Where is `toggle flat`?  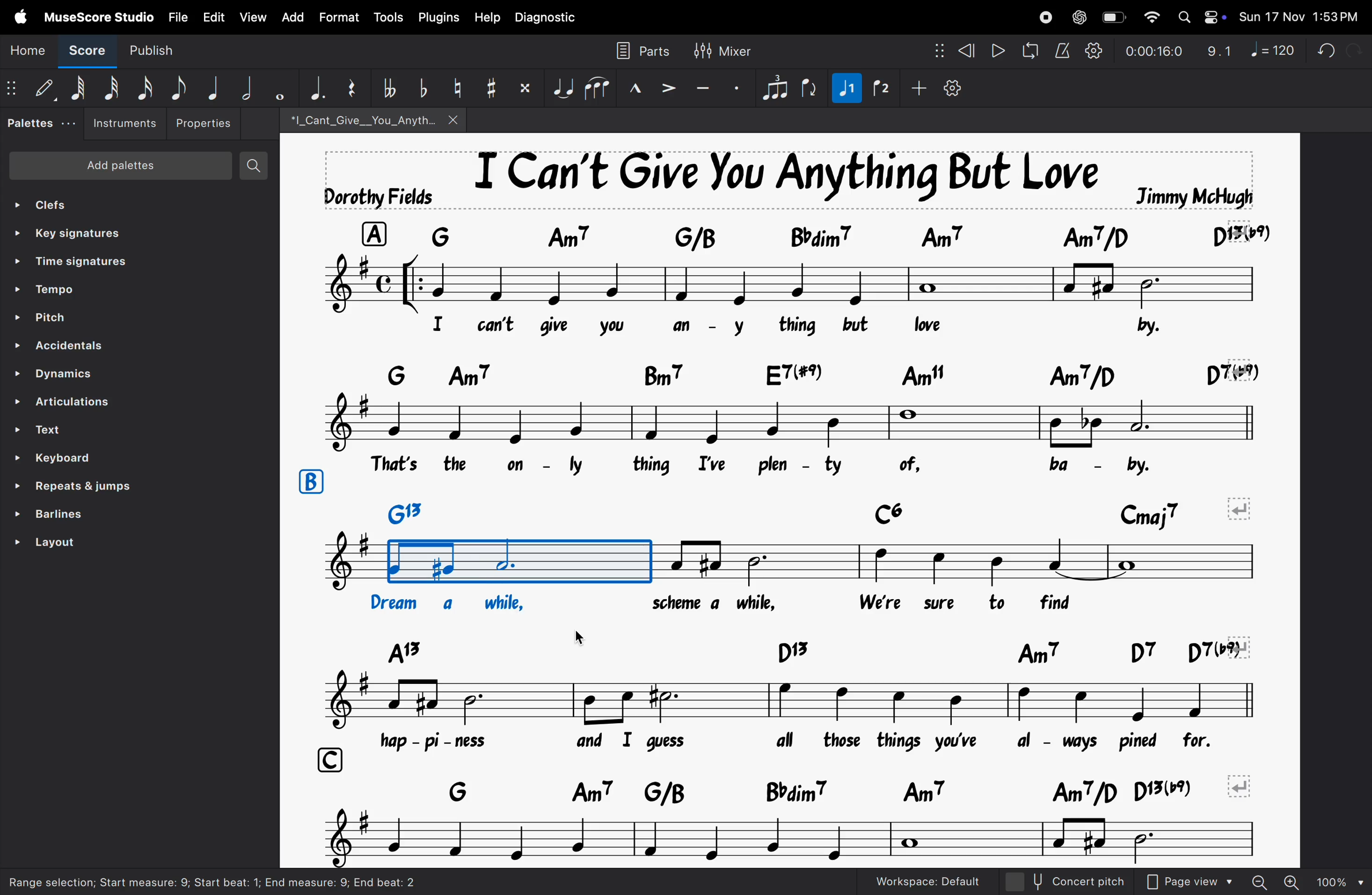
toggle flat is located at coordinates (420, 88).